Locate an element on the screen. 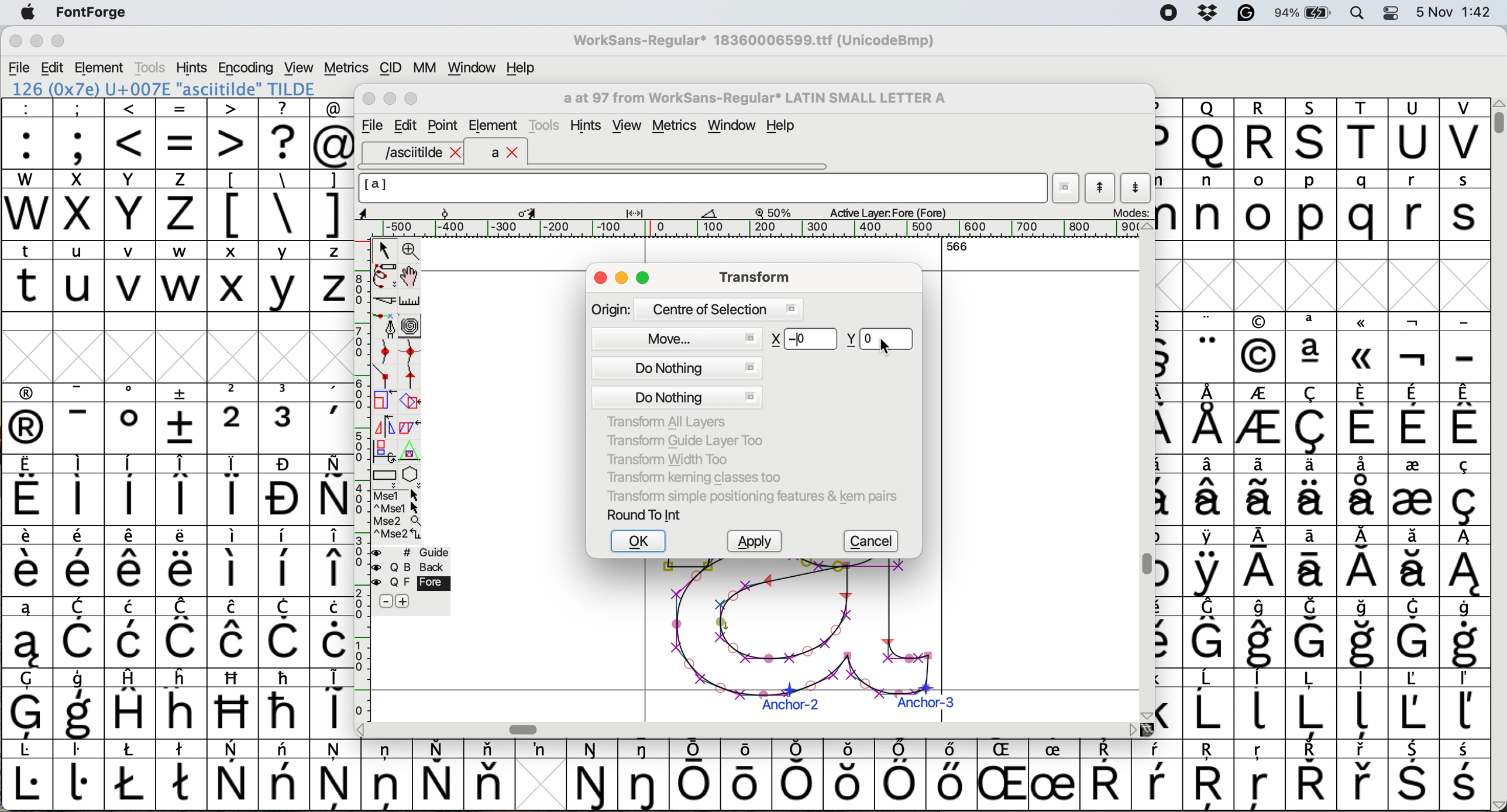 This screenshot has width=1507, height=812. cid is located at coordinates (389, 68).